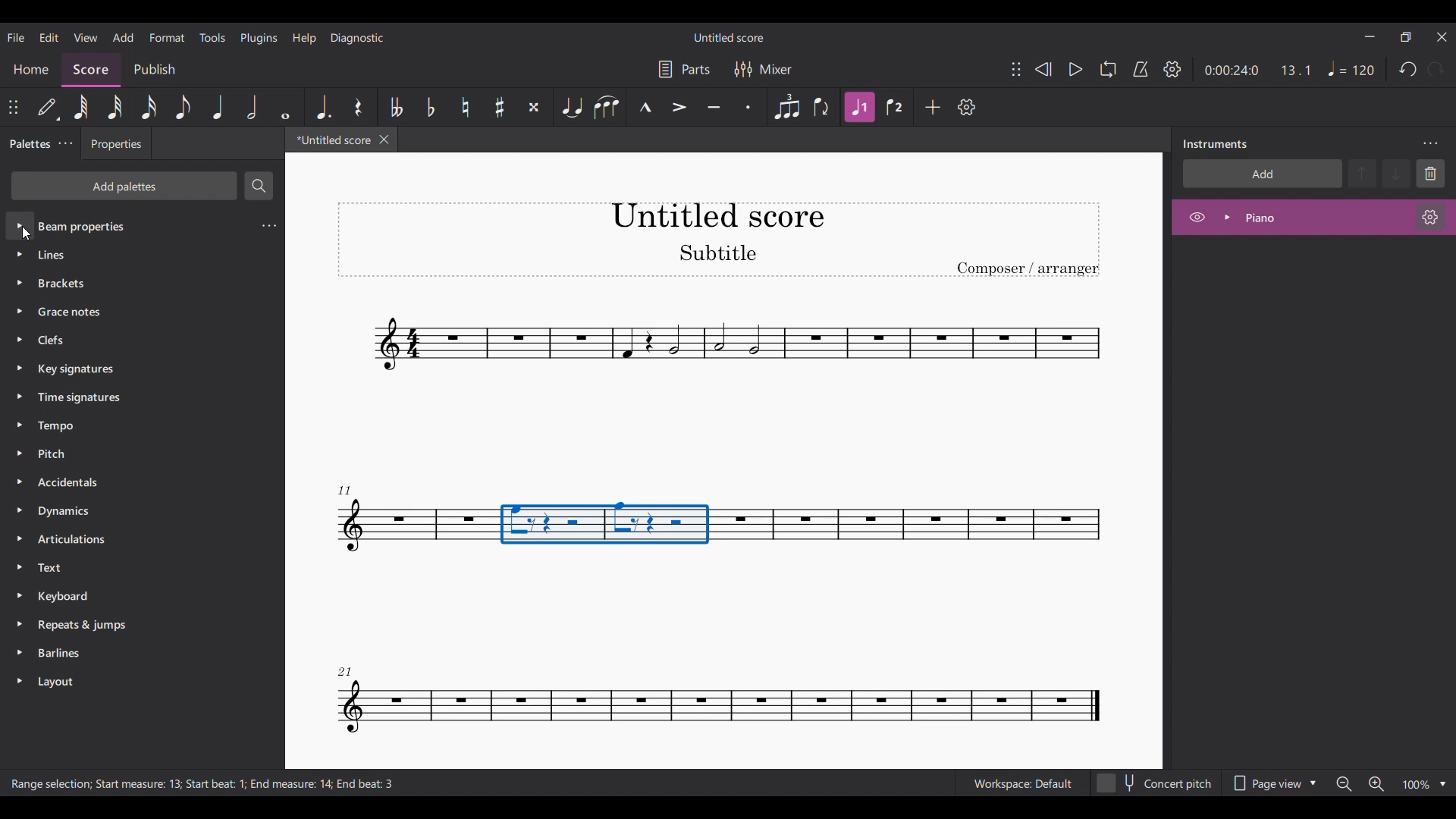 The width and height of the screenshot is (1456, 819). Describe the element at coordinates (322, 107) in the screenshot. I see `Augmentation dot` at that location.